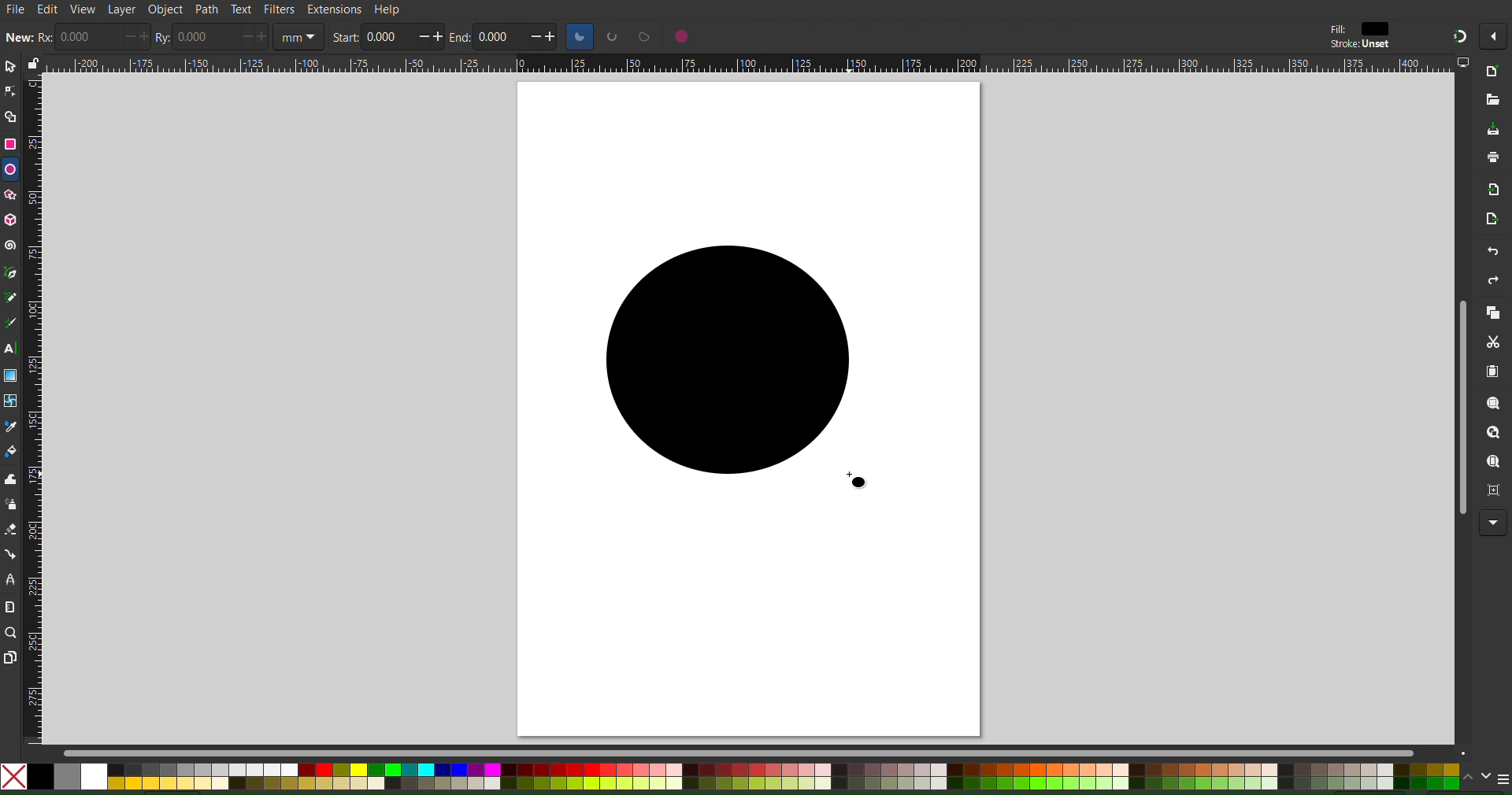 The image size is (1512, 795). I want to click on stroke, so click(1362, 44).